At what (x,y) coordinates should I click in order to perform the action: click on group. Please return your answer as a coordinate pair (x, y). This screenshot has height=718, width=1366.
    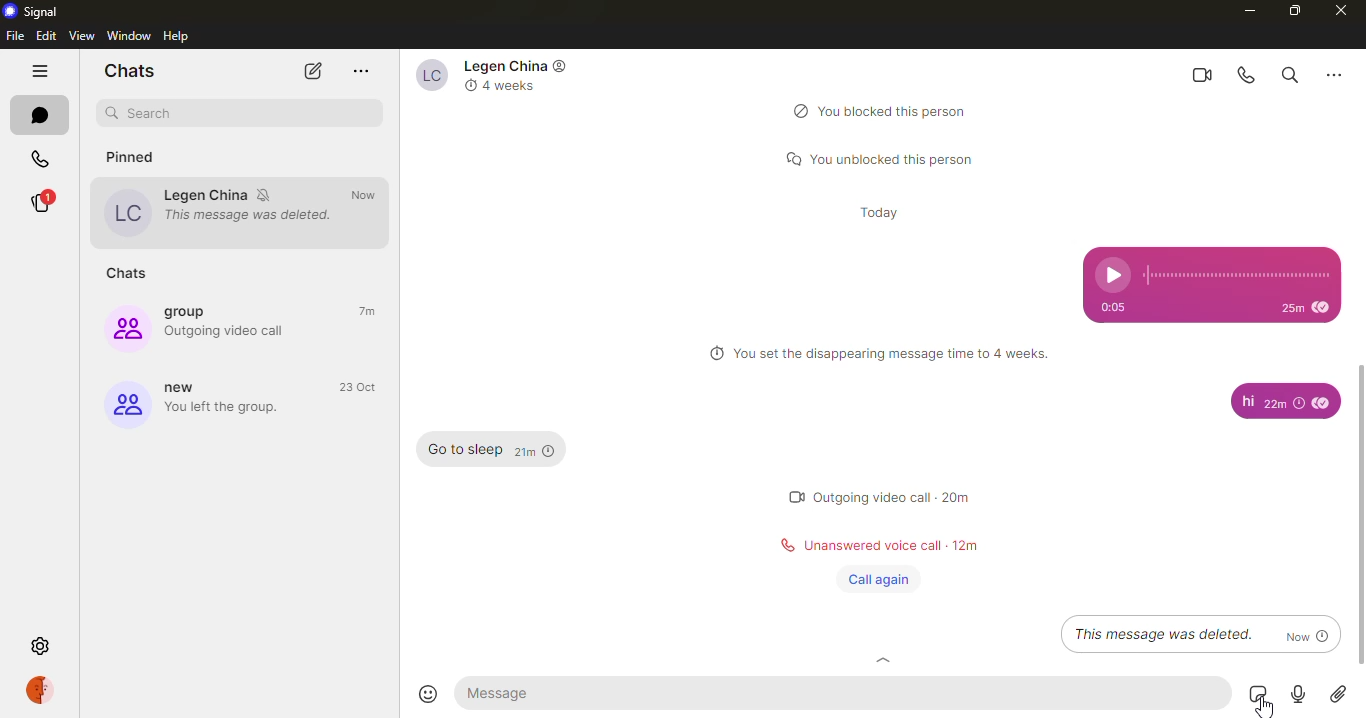
    Looking at the image, I should click on (192, 311).